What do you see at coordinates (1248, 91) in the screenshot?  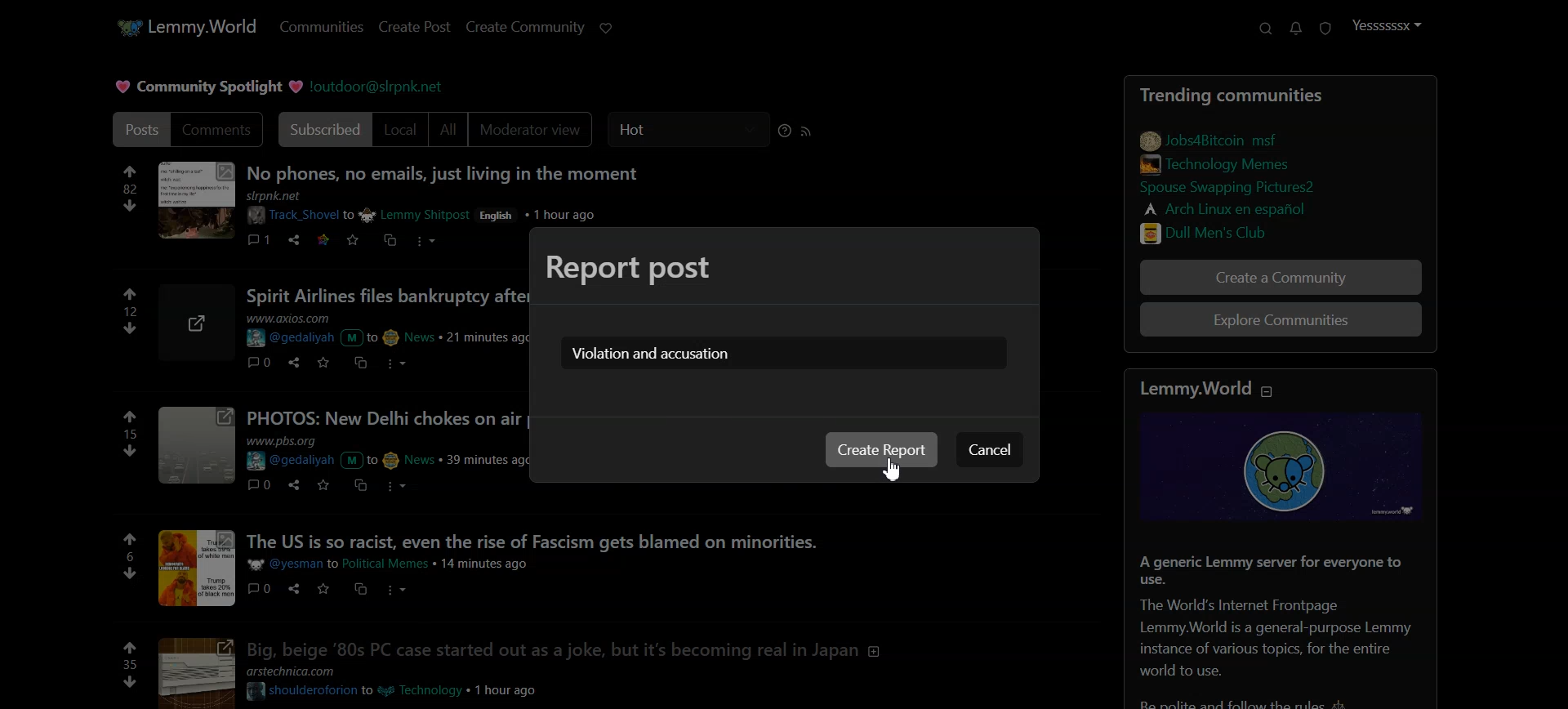 I see `Posts` at bounding box center [1248, 91].